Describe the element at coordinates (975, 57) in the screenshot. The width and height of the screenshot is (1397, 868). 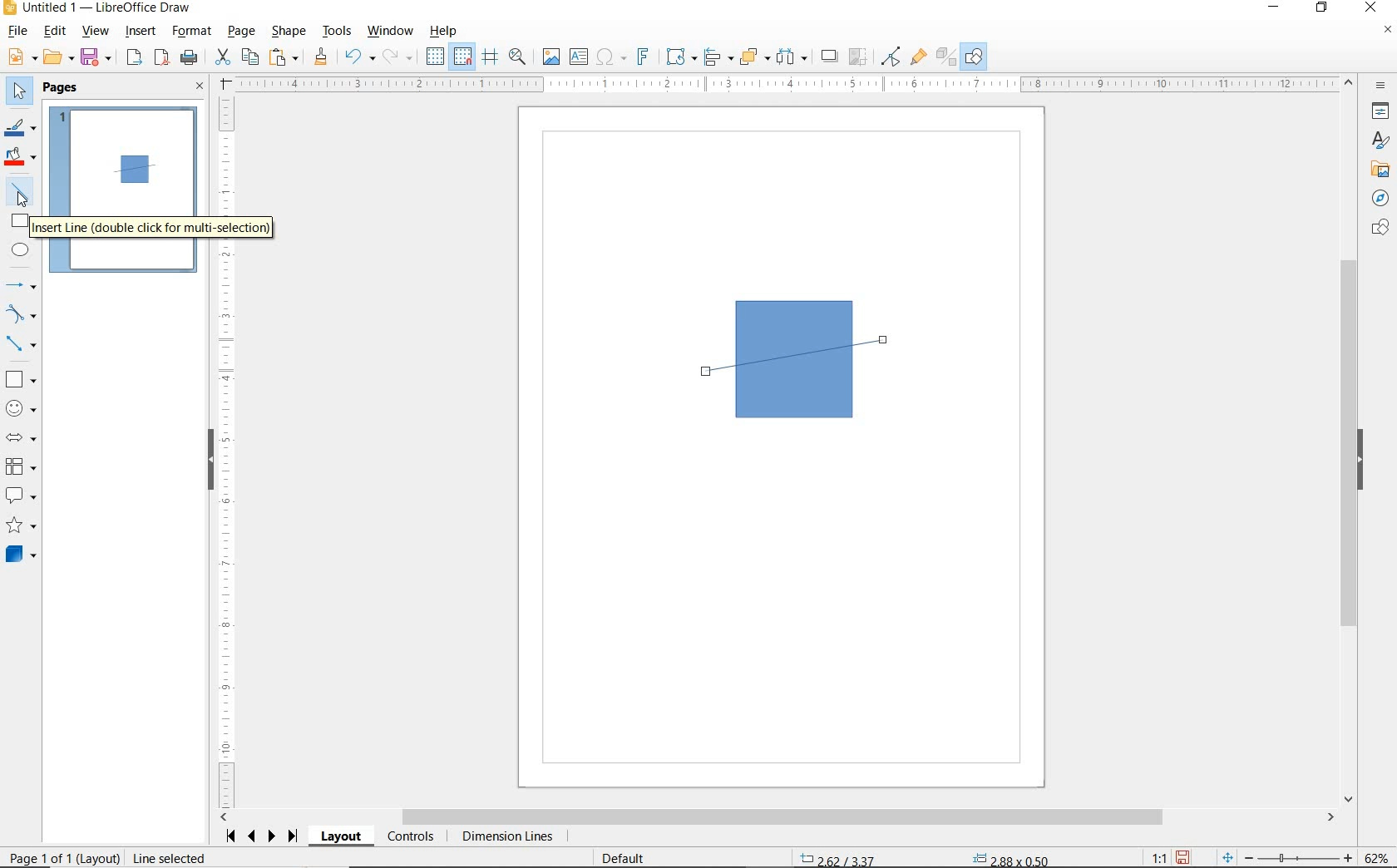
I see `SHOW DRAW FUNCTIONS` at that location.